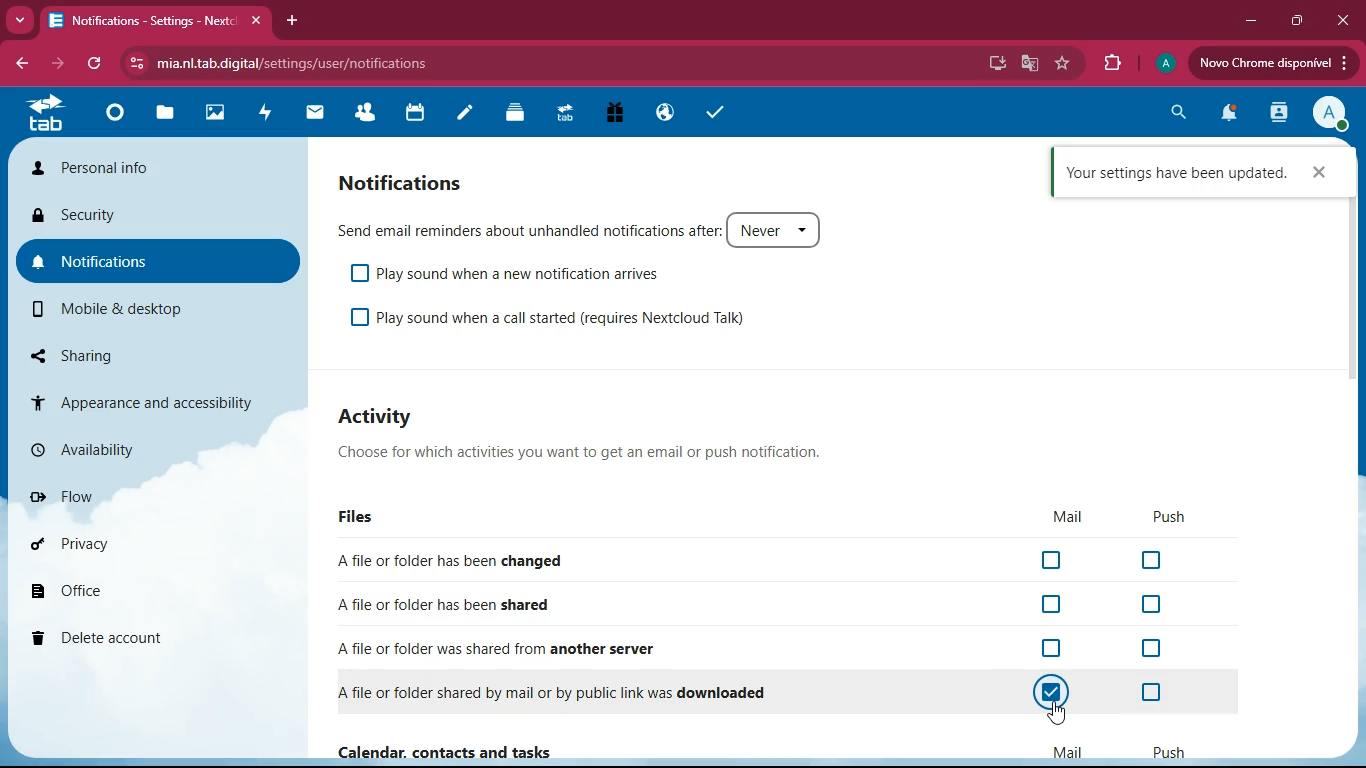  What do you see at coordinates (1173, 113) in the screenshot?
I see `search` at bounding box center [1173, 113].